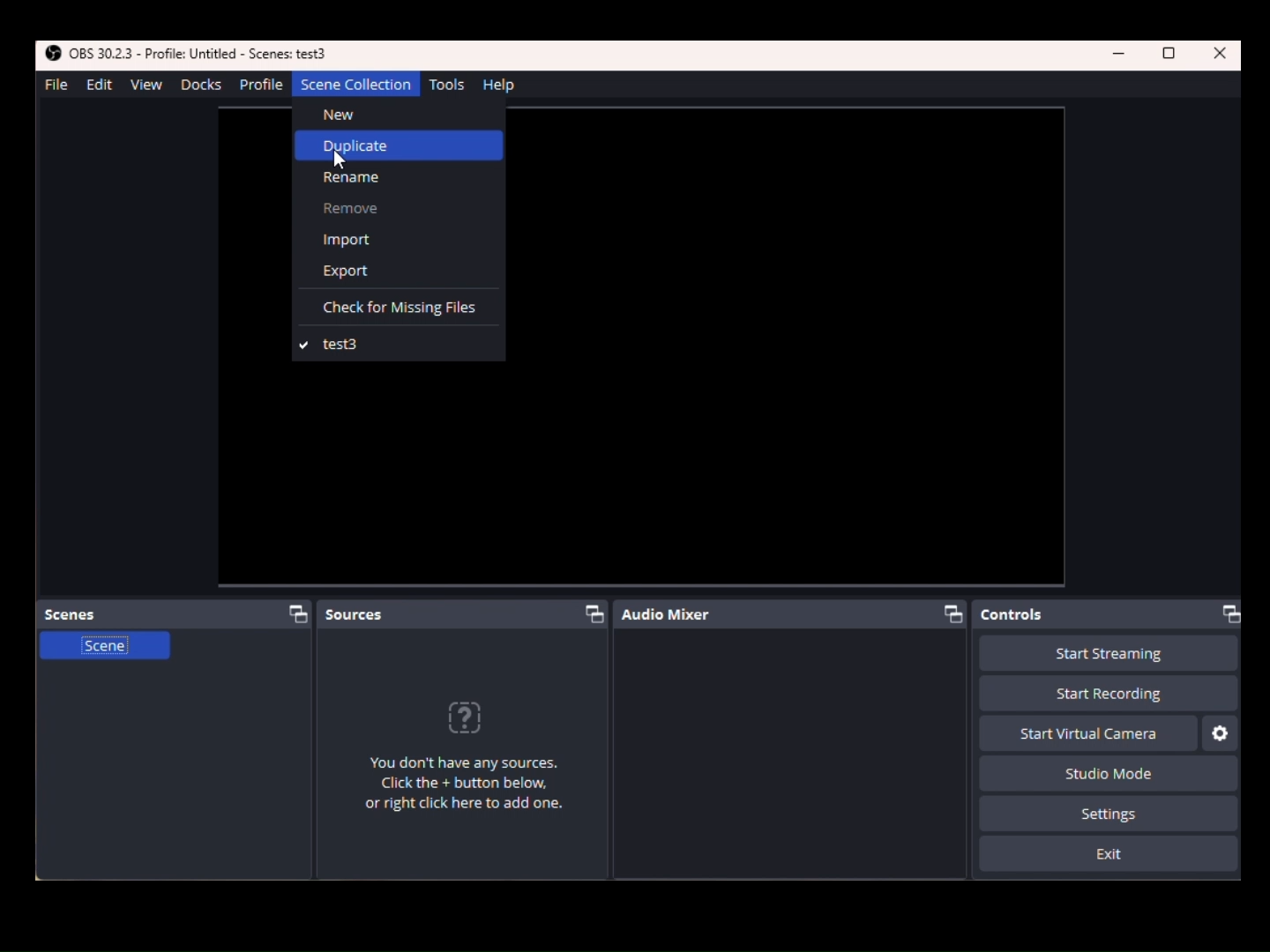 The height and width of the screenshot is (952, 1270). Describe the element at coordinates (399, 114) in the screenshot. I see `New` at that location.